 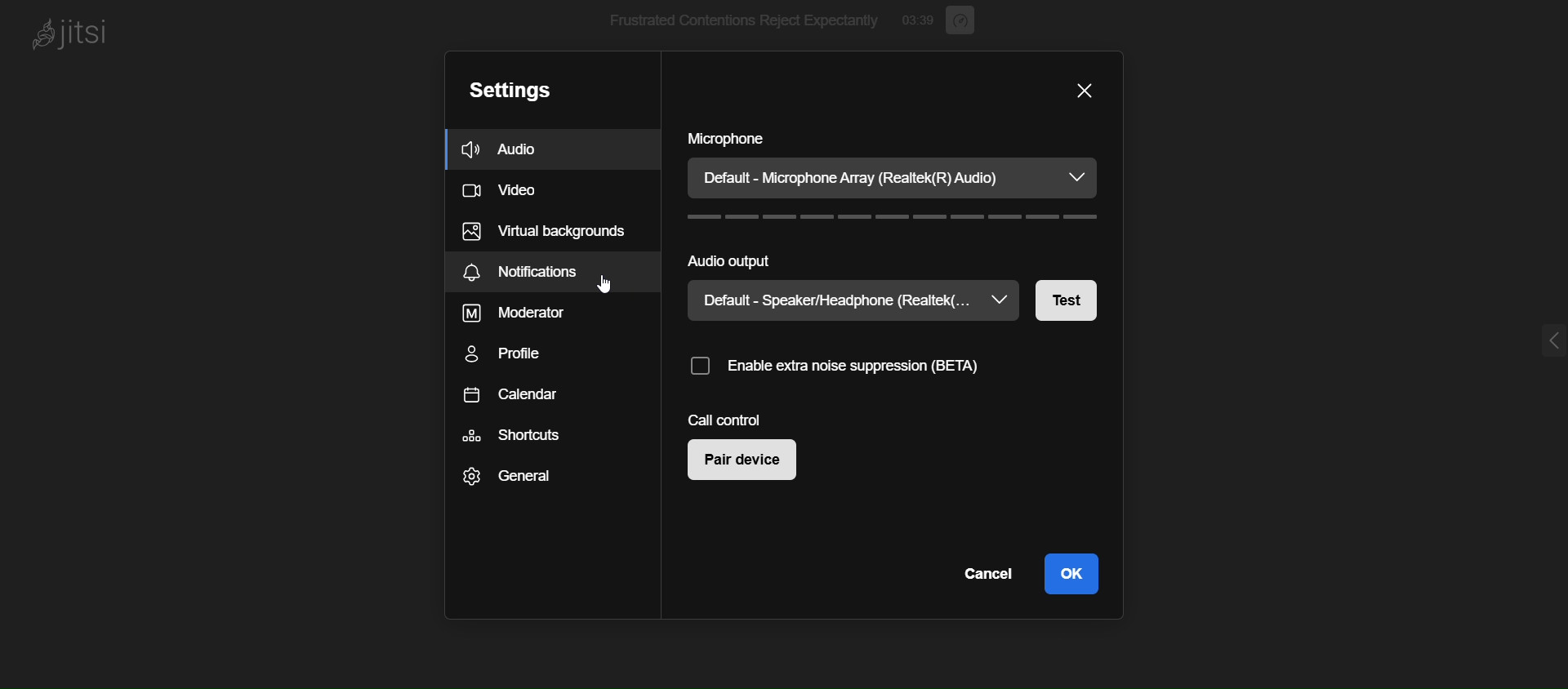 What do you see at coordinates (535, 443) in the screenshot?
I see `shortcuts` at bounding box center [535, 443].